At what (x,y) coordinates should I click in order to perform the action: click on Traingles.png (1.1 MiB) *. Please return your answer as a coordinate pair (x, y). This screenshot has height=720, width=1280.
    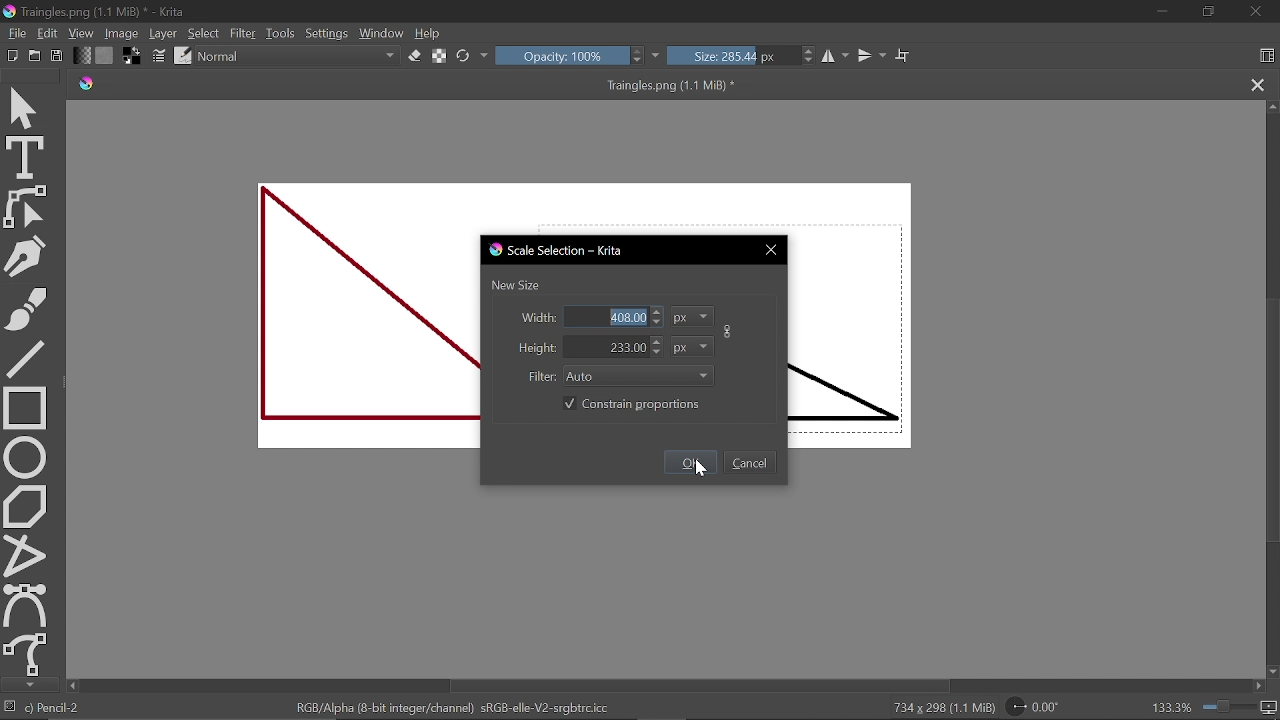
    Looking at the image, I should click on (433, 85).